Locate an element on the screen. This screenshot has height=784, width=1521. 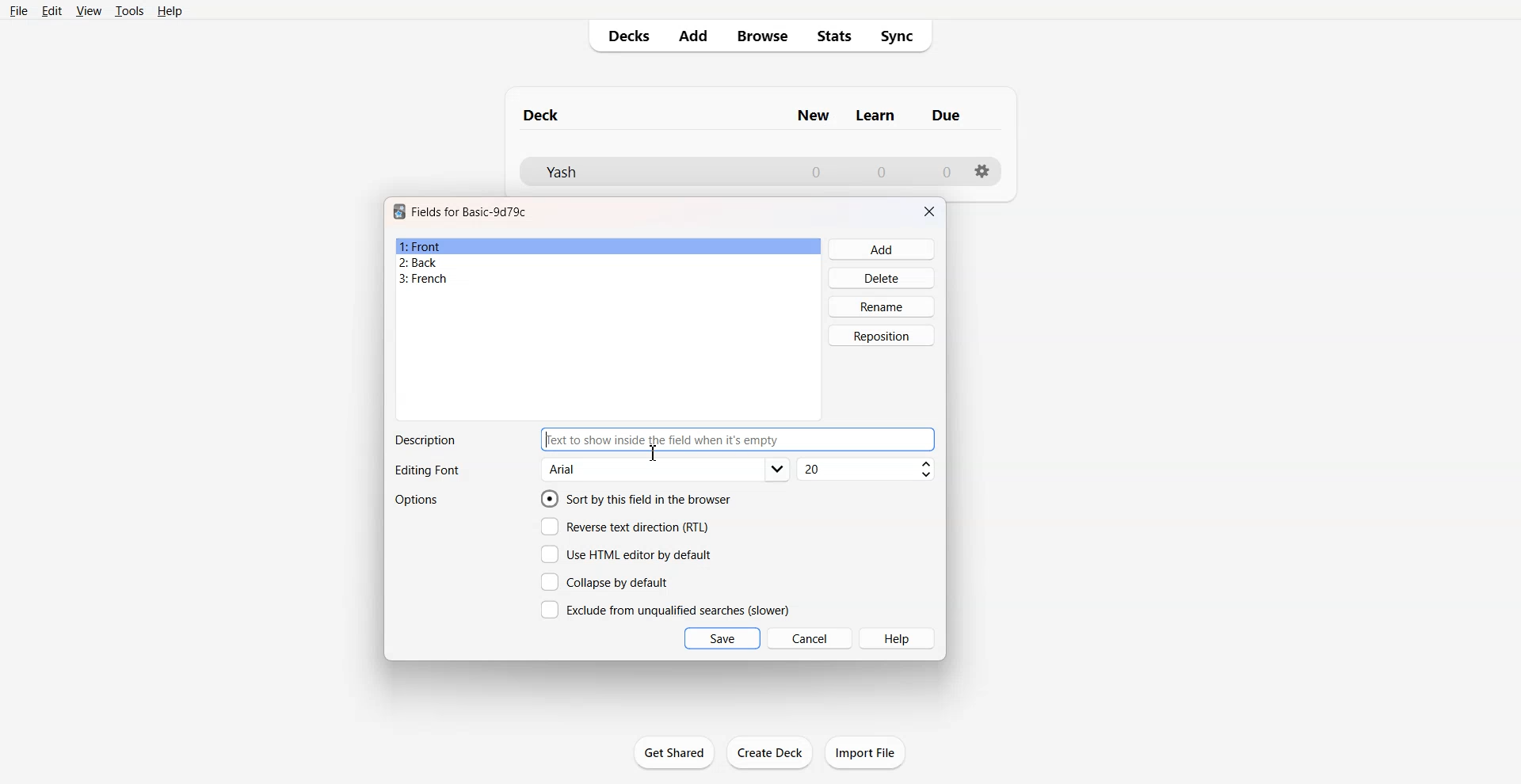
French is located at coordinates (608, 279).